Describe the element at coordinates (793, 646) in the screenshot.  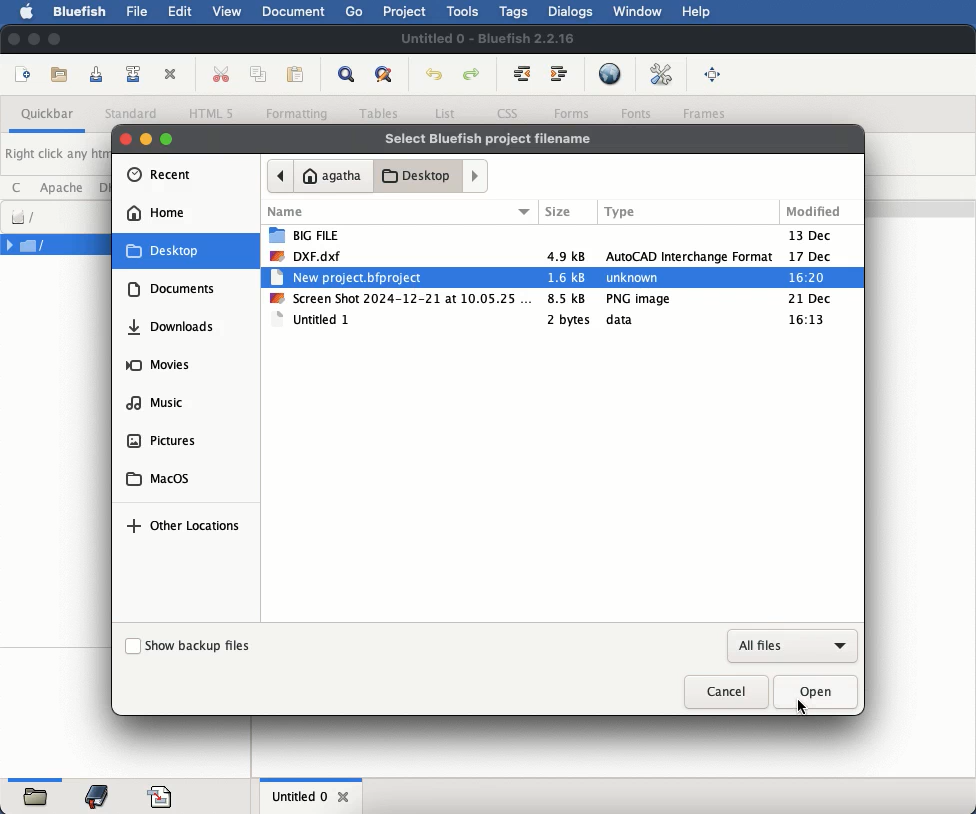
I see `all files` at that location.